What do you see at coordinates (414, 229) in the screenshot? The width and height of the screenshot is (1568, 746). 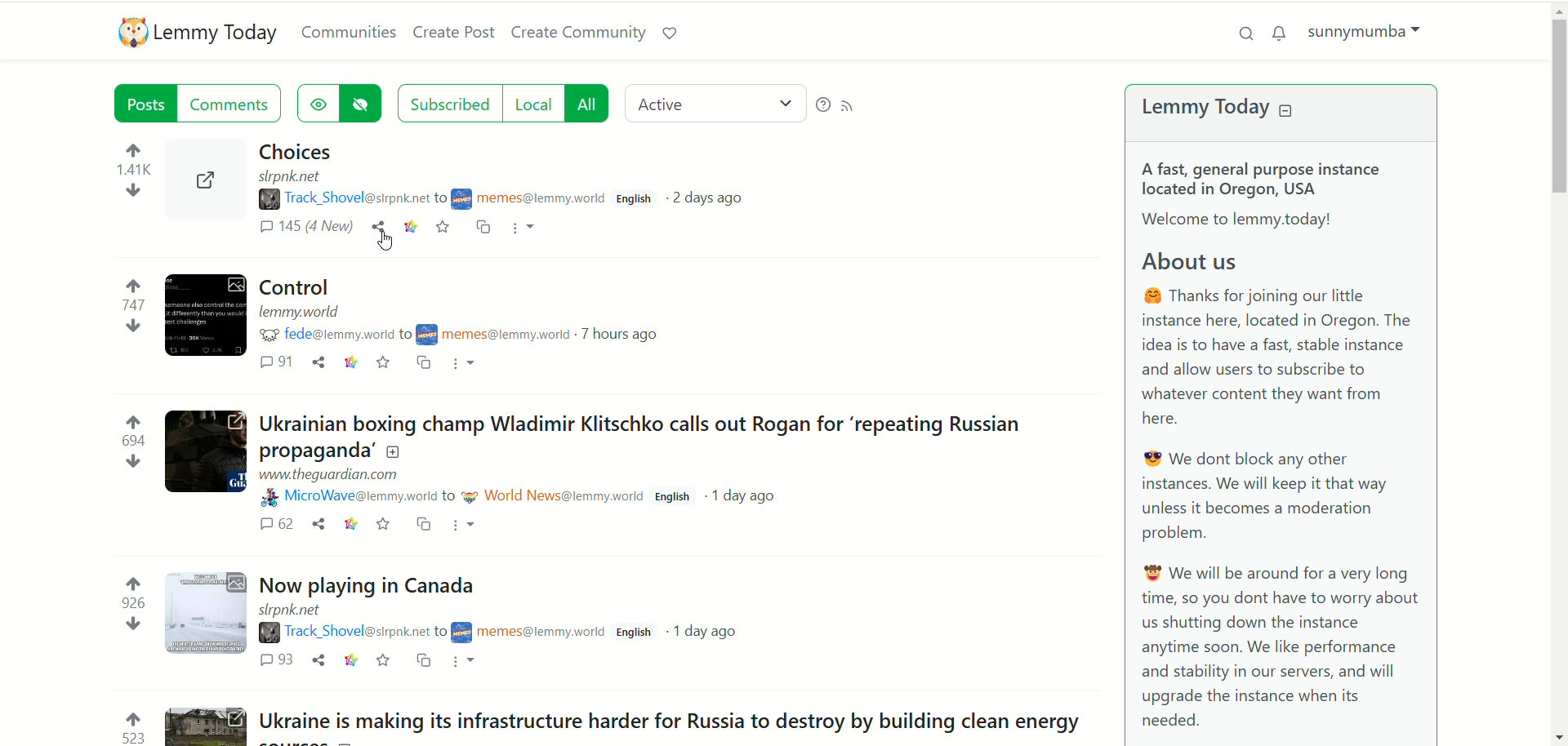 I see `link` at bounding box center [414, 229].